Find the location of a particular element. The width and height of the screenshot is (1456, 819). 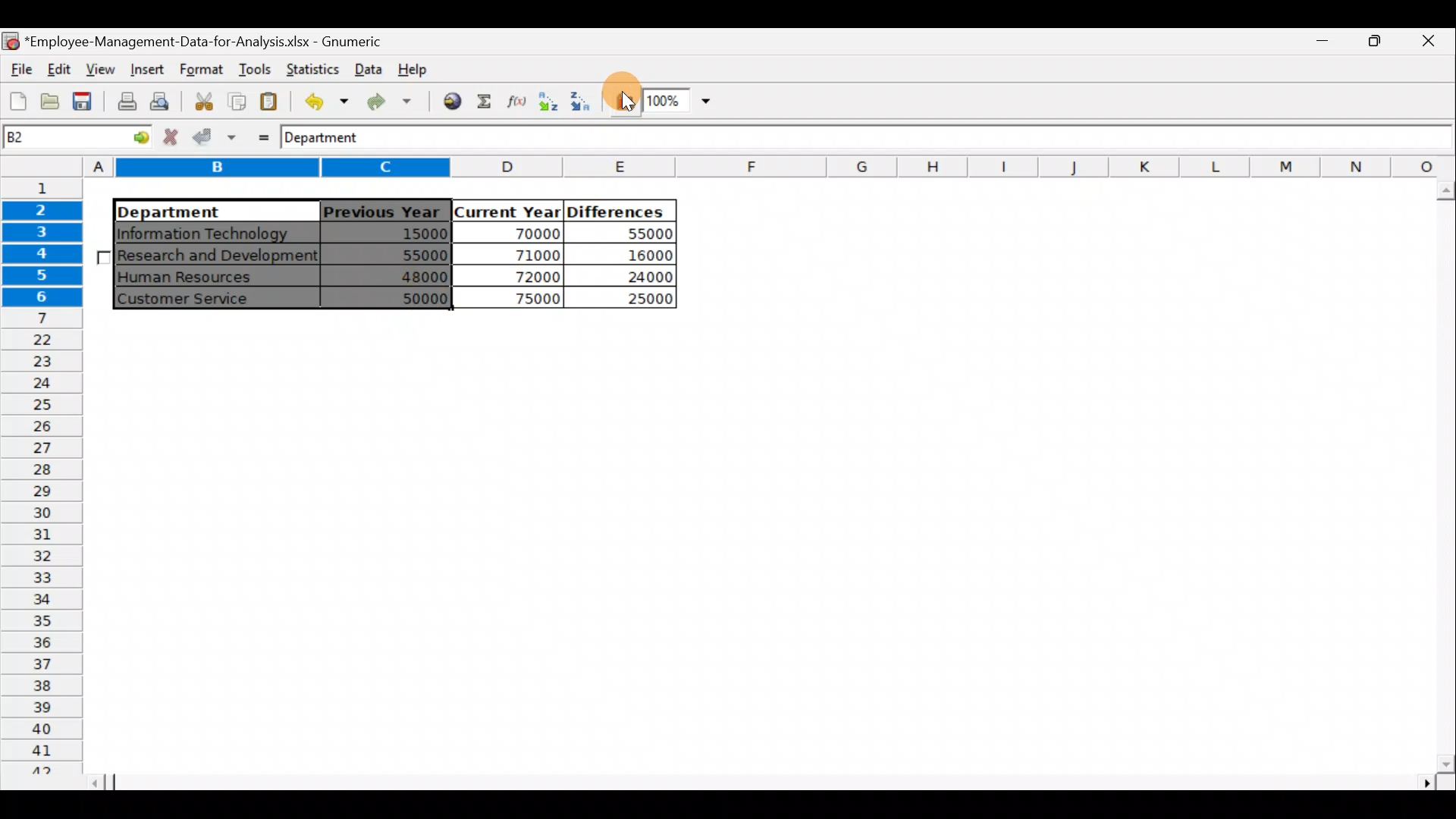

Edit a function in the current cell is located at coordinates (516, 101).